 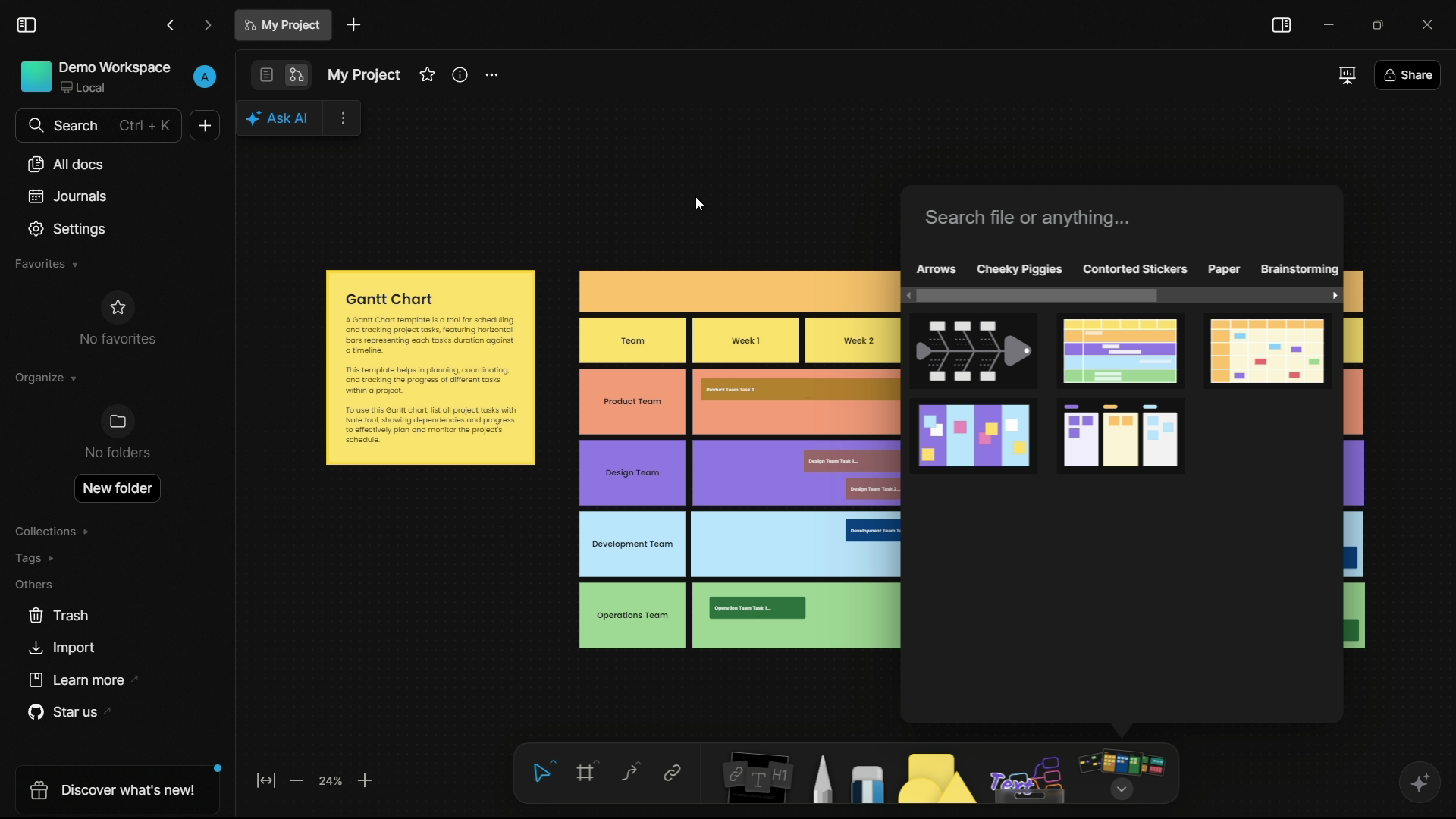 I want to click on toggle sidebar, so click(x=27, y=25).